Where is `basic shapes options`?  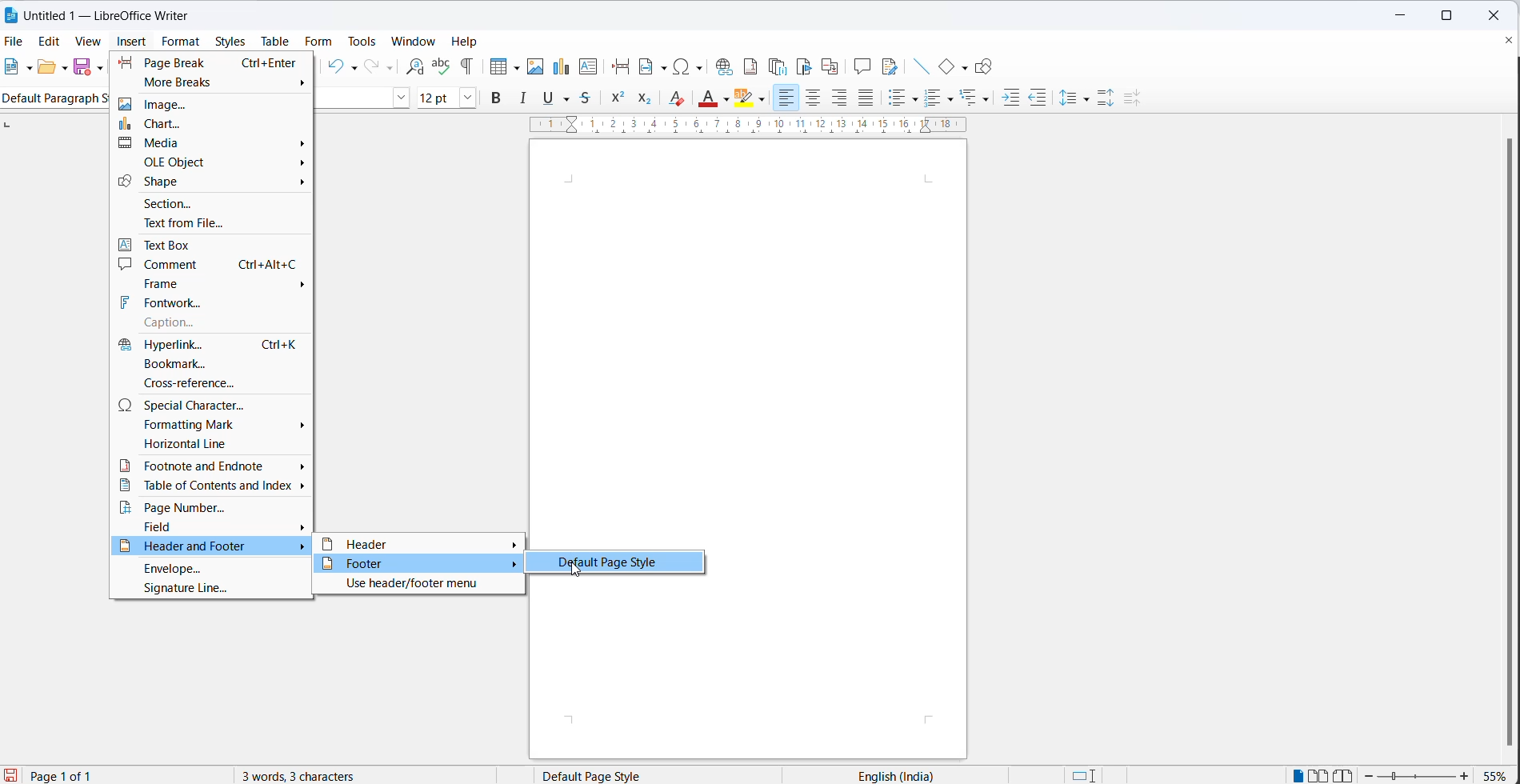
basic shapes options is located at coordinates (966, 70).